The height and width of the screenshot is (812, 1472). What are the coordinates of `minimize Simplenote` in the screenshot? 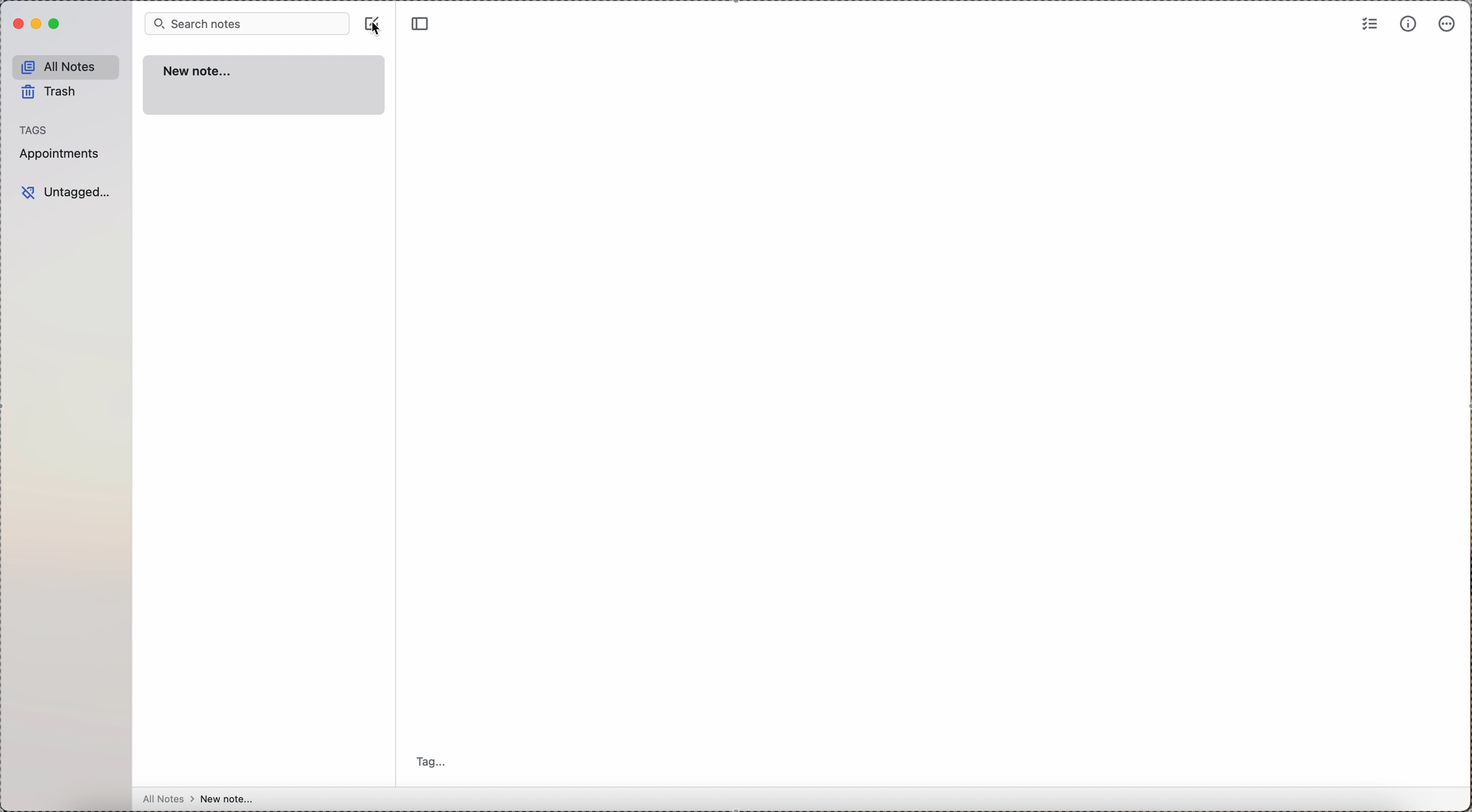 It's located at (38, 23).